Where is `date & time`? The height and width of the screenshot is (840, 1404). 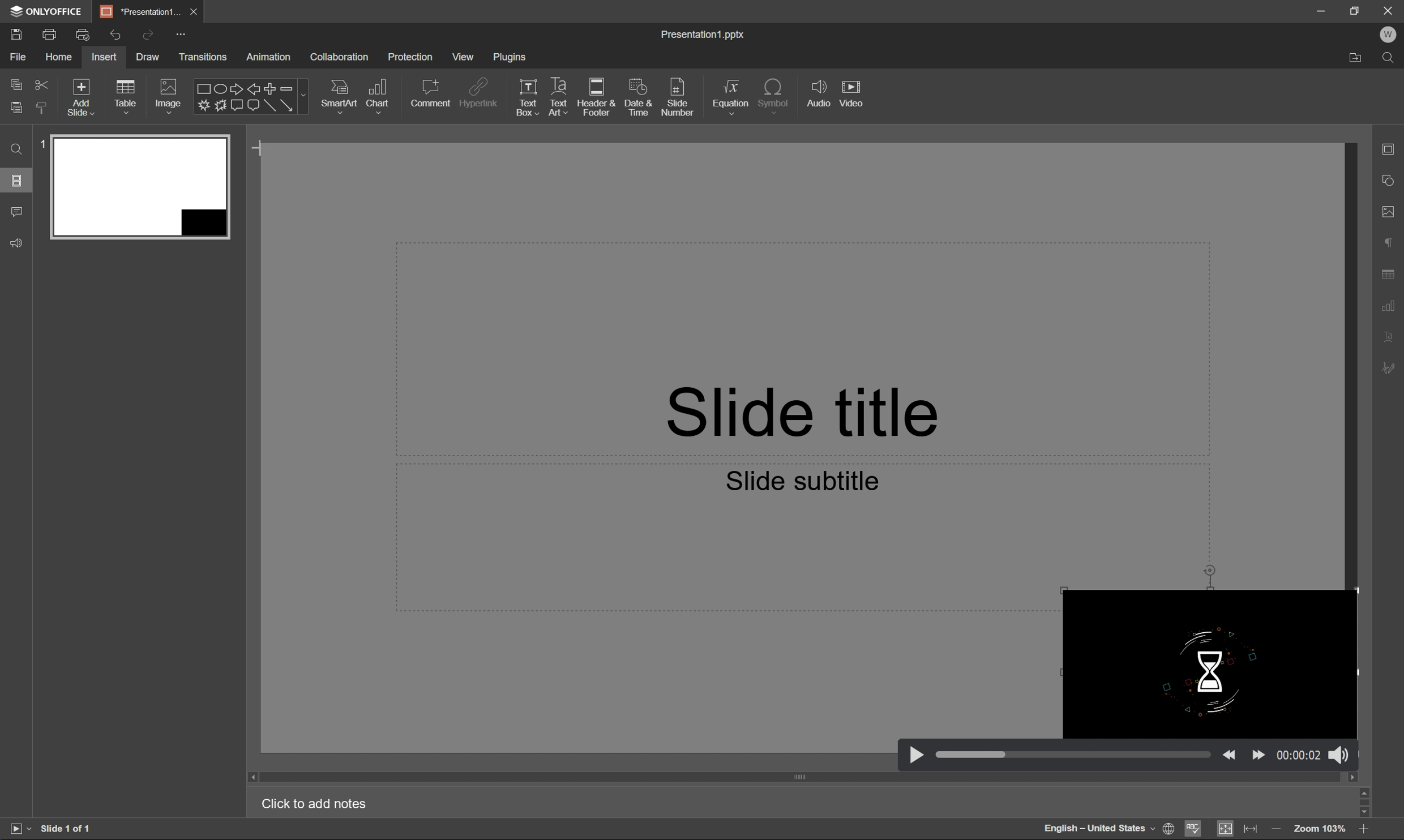 date & time is located at coordinates (638, 98).